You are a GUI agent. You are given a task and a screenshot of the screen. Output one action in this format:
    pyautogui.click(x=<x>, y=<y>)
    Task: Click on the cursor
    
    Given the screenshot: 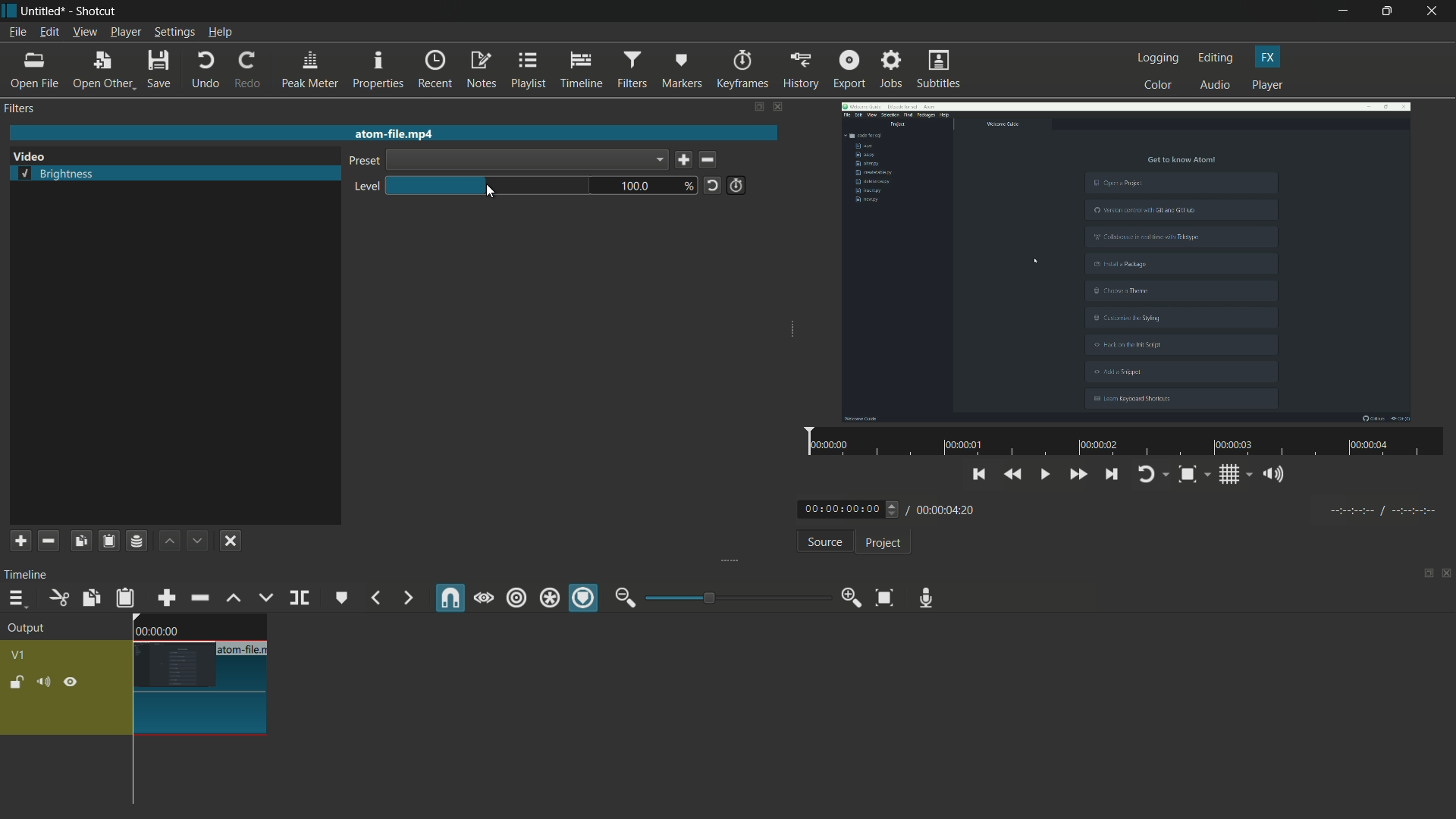 What is the action you would take?
    pyautogui.click(x=491, y=191)
    